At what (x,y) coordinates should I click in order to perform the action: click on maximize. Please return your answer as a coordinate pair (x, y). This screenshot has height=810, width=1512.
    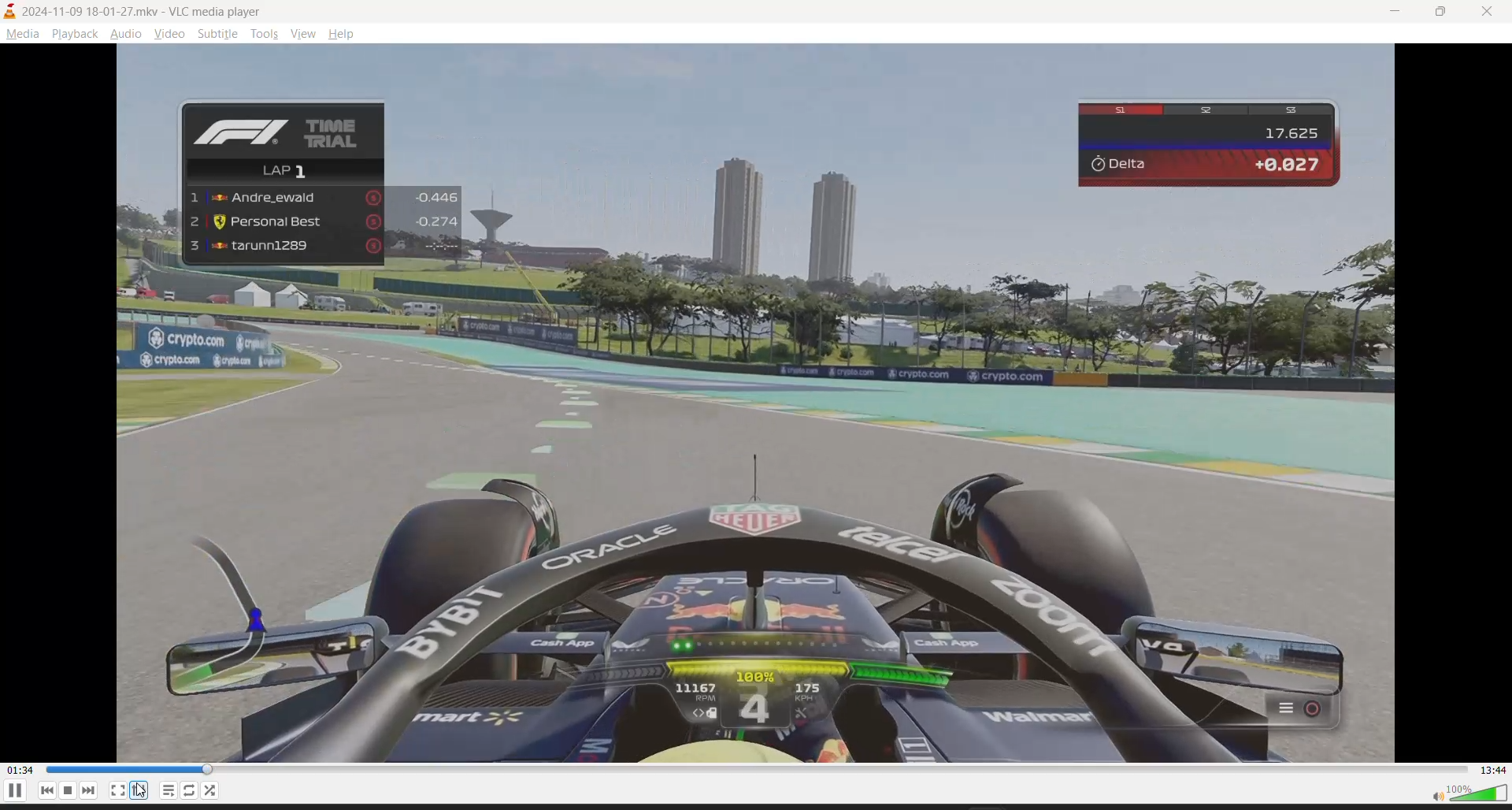
    Looking at the image, I should click on (1442, 10).